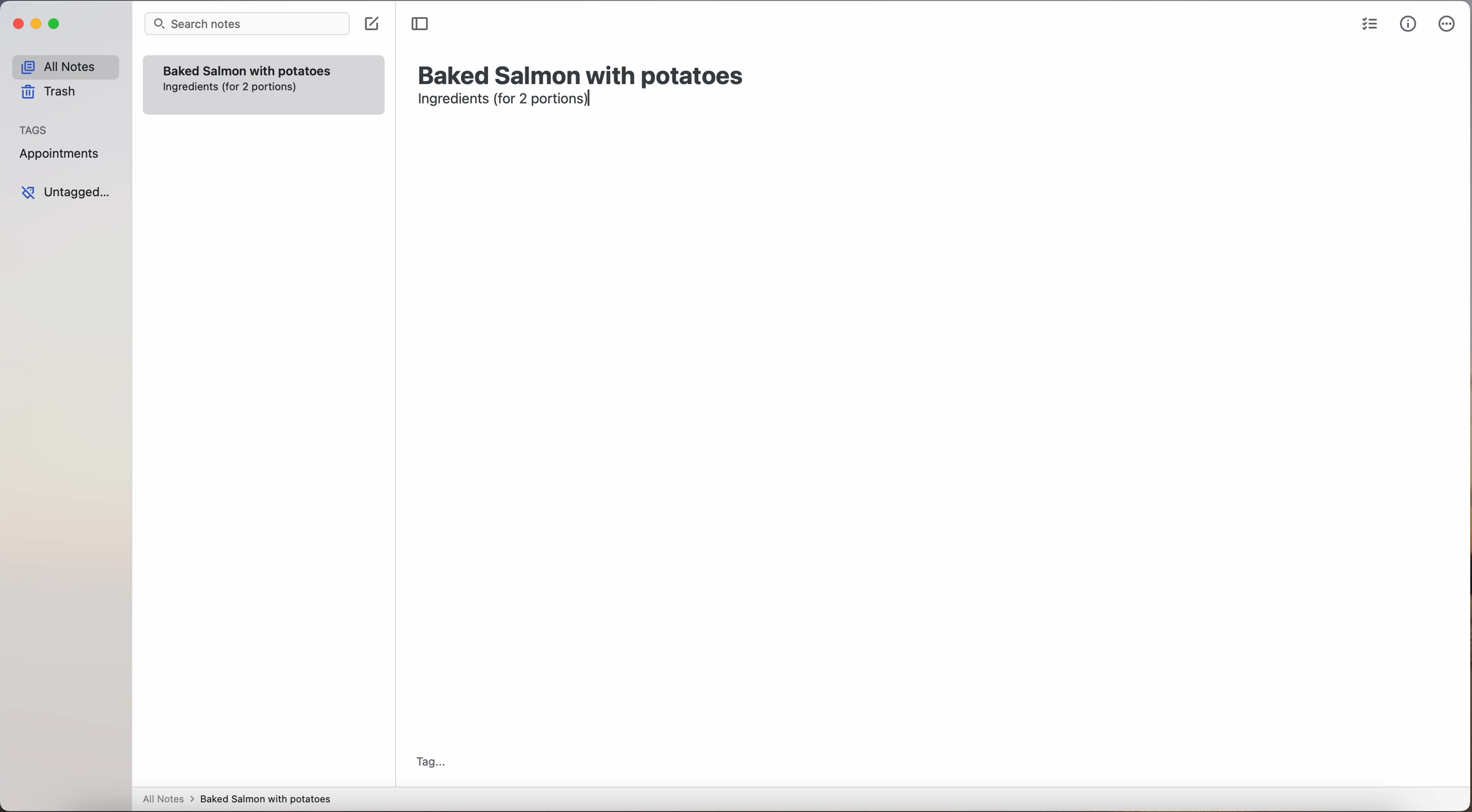 The width and height of the screenshot is (1472, 812). Describe the element at coordinates (246, 25) in the screenshot. I see `search bar` at that location.